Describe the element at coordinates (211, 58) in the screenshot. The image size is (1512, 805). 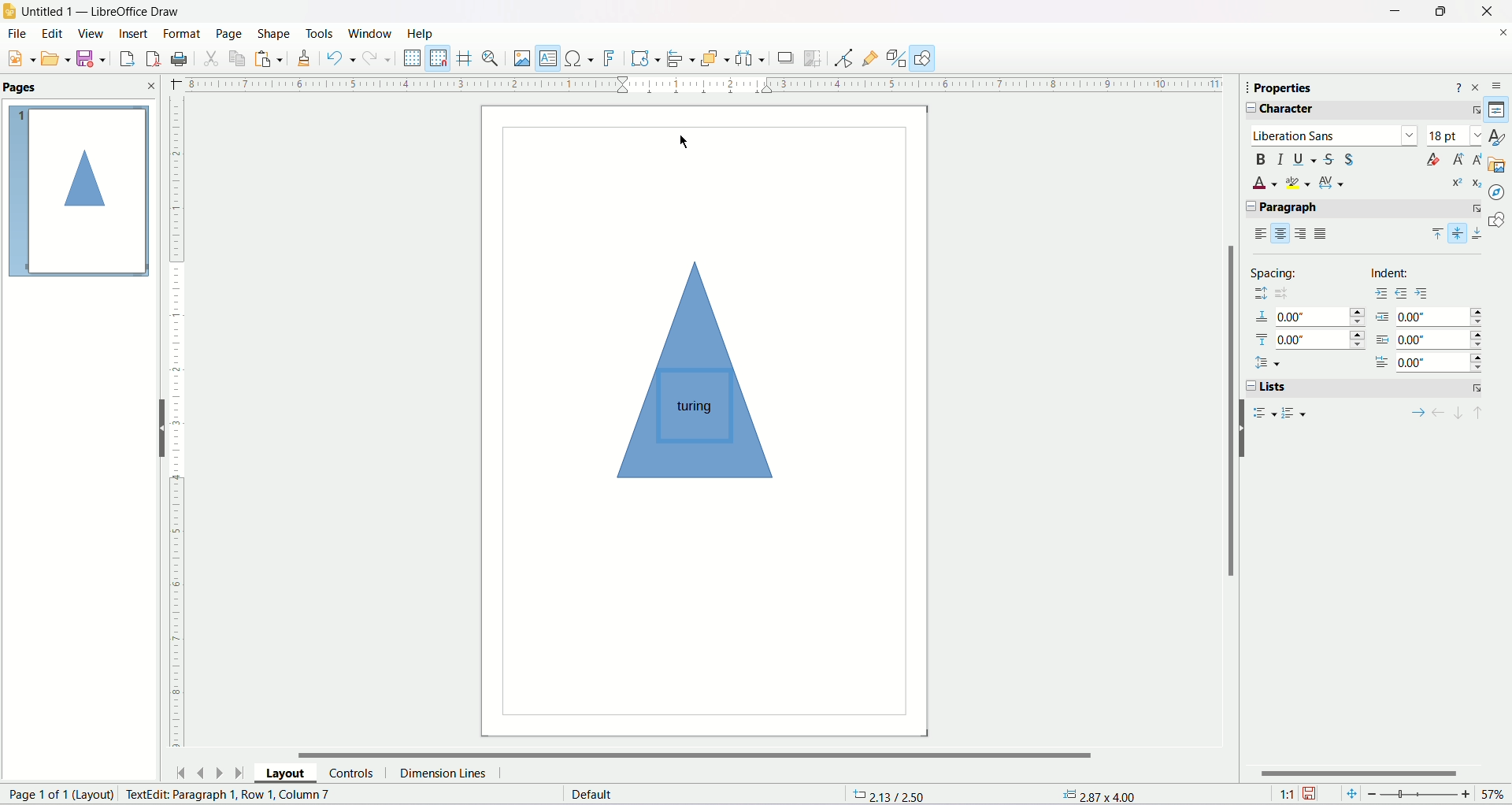
I see `Cut` at that location.